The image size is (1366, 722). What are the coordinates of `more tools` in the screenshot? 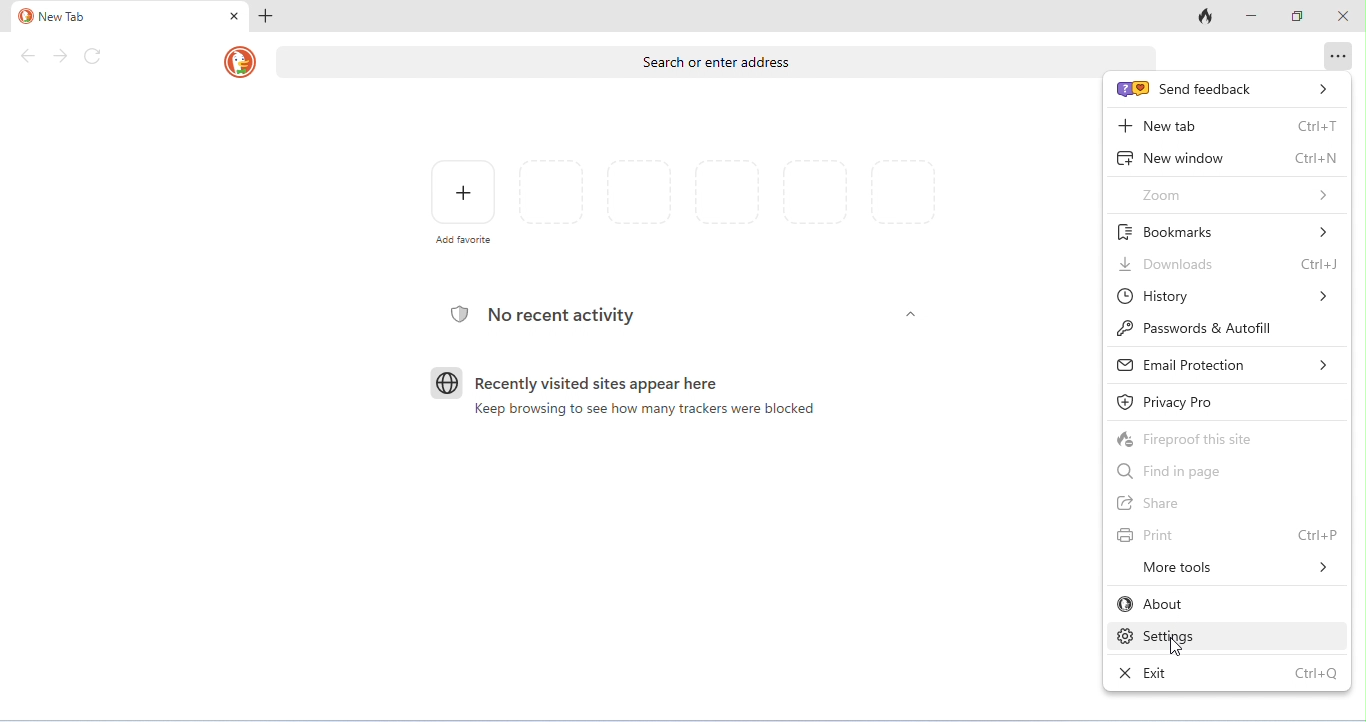 It's located at (1228, 569).